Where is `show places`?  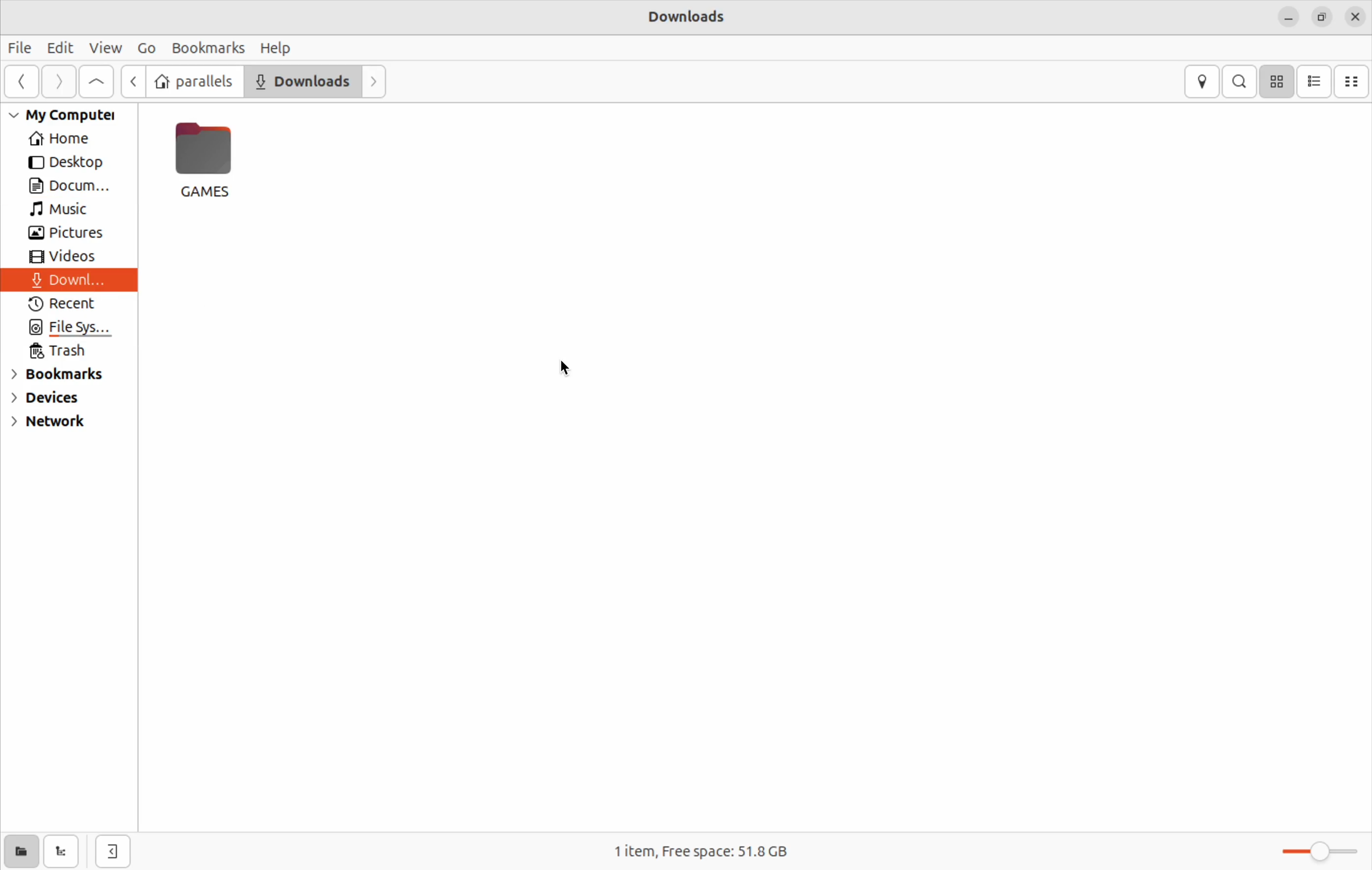
show places is located at coordinates (19, 851).